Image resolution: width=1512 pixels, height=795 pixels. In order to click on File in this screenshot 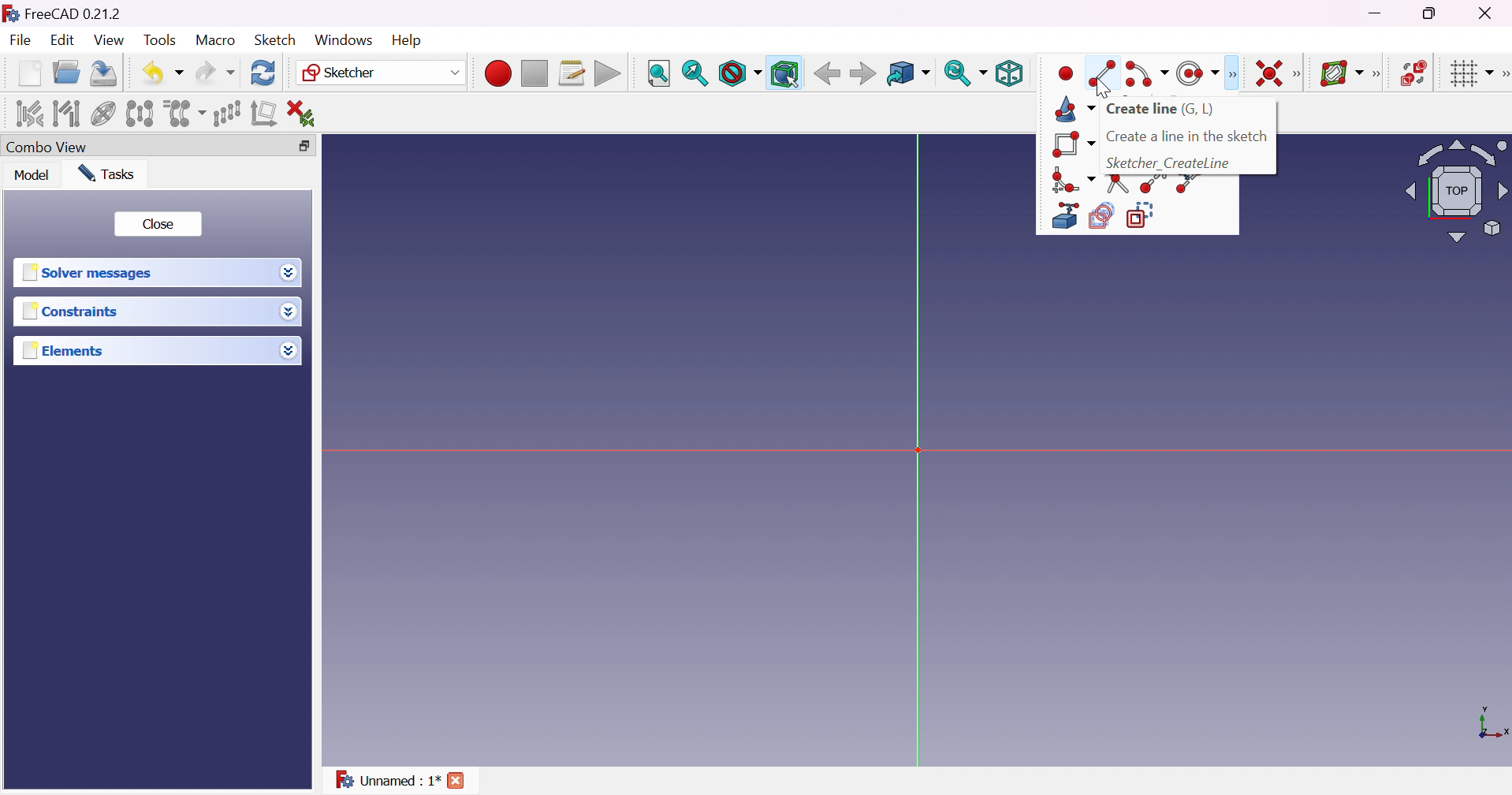, I will do `click(21, 41)`.